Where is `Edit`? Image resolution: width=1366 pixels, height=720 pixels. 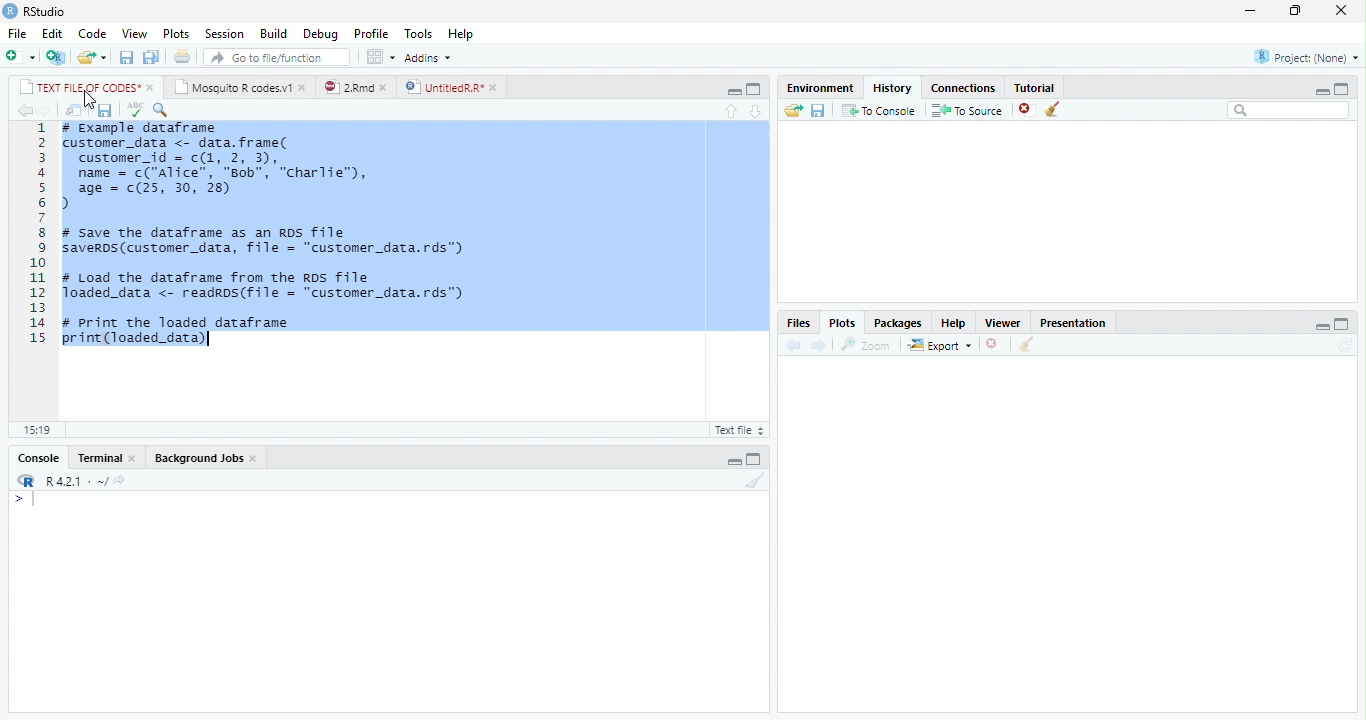 Edit is located at coordinates (52, 34).